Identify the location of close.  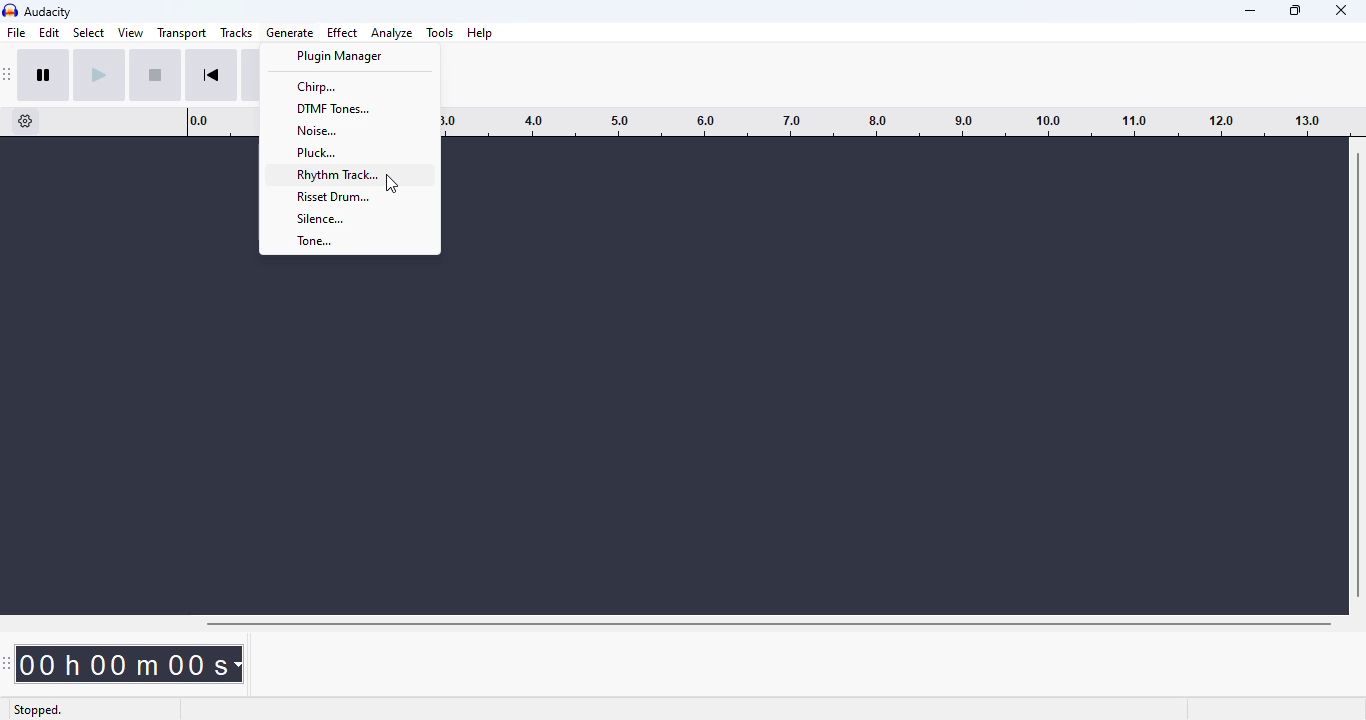
(1340, 10).